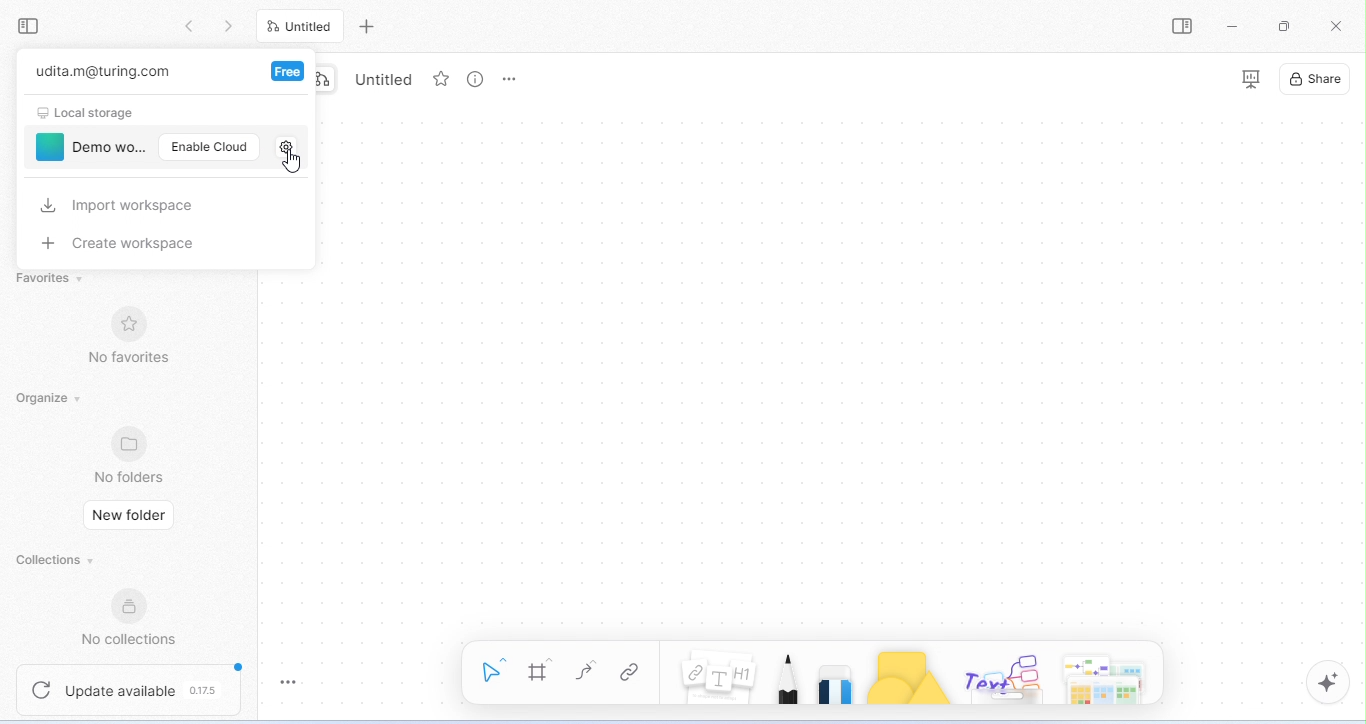 This screenshot has height=724, width=1366. Describe the element at coordinates (123, 243) in the screenshot. I see `create workspace` at that location.